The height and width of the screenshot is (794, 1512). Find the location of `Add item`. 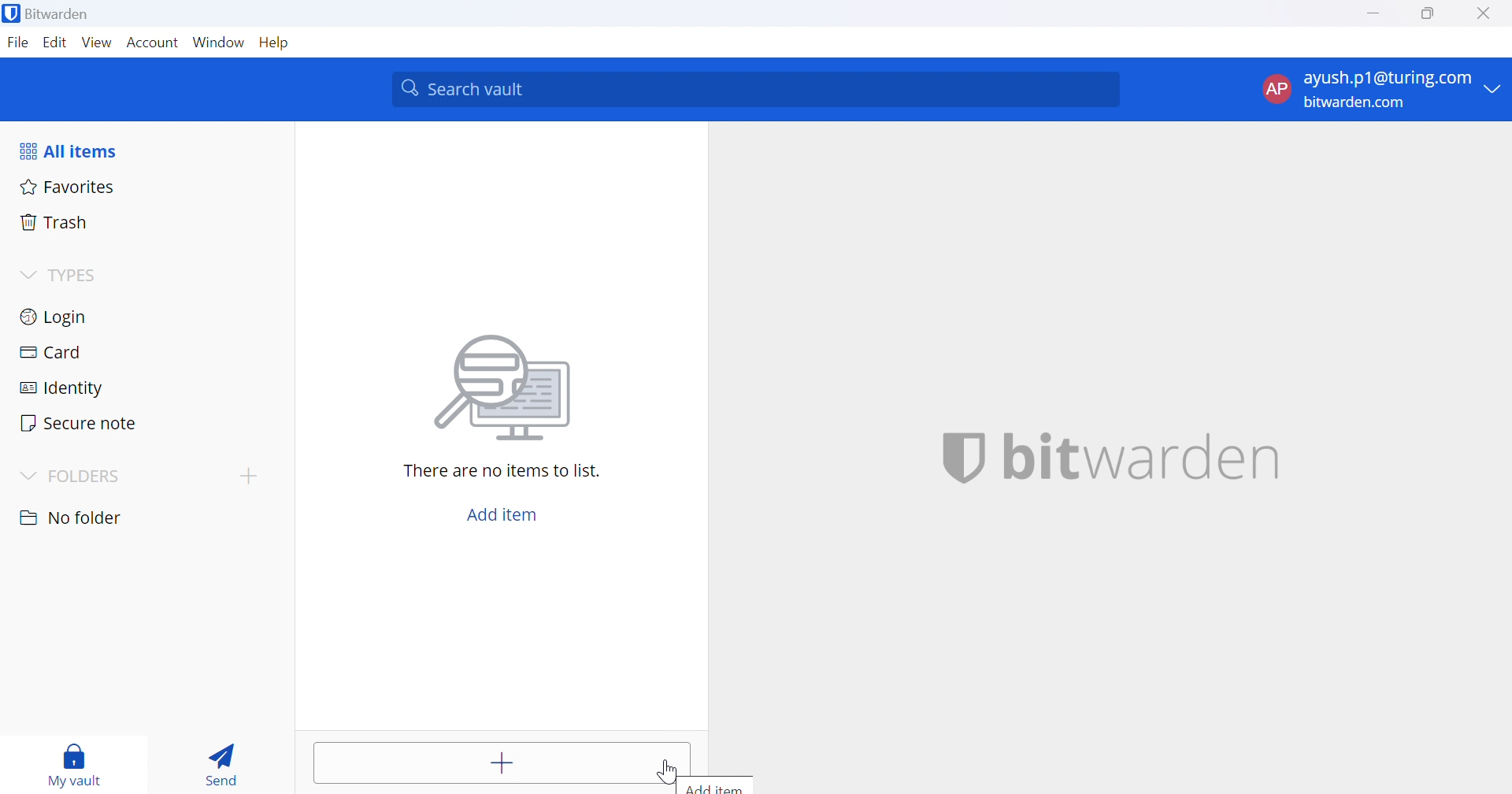

Add item is located at coordinates (721, 785).